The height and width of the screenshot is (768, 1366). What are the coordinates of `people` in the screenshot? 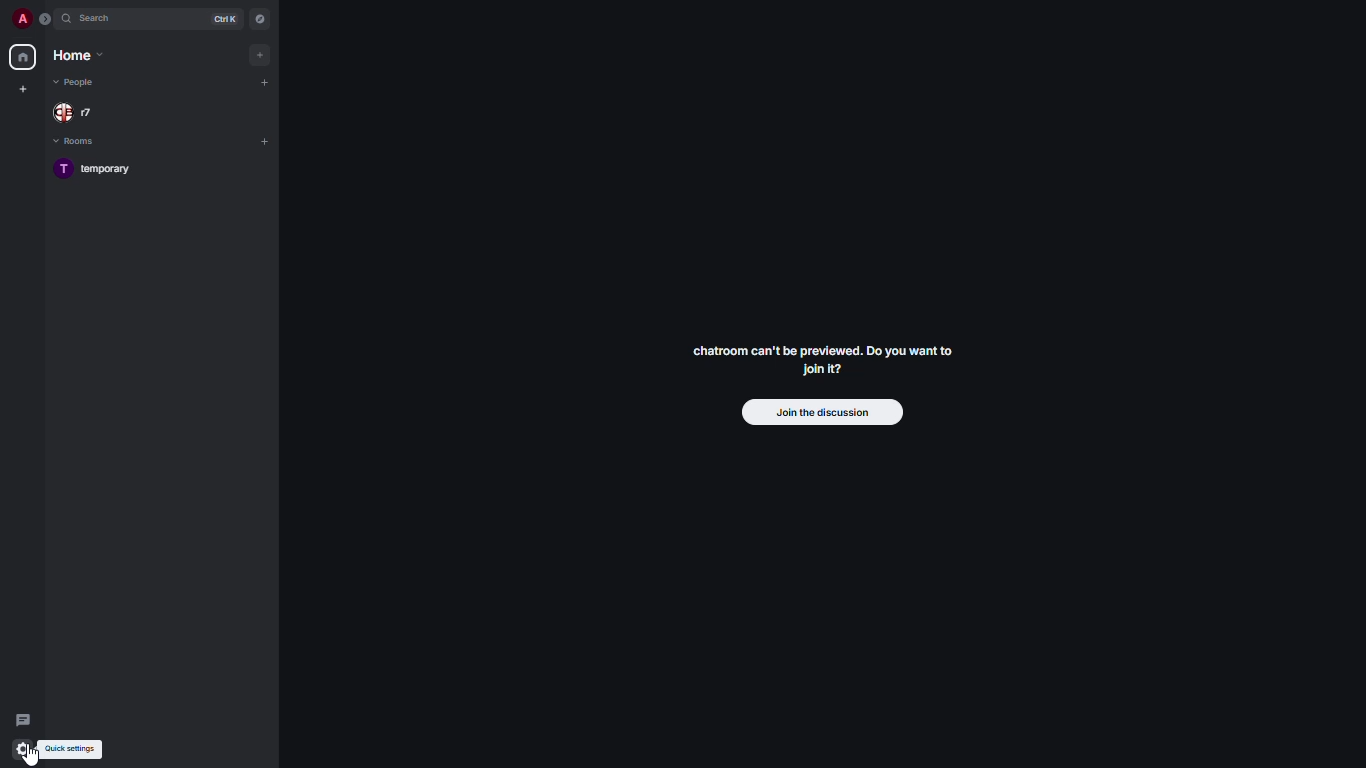 It's located at (80, 112).